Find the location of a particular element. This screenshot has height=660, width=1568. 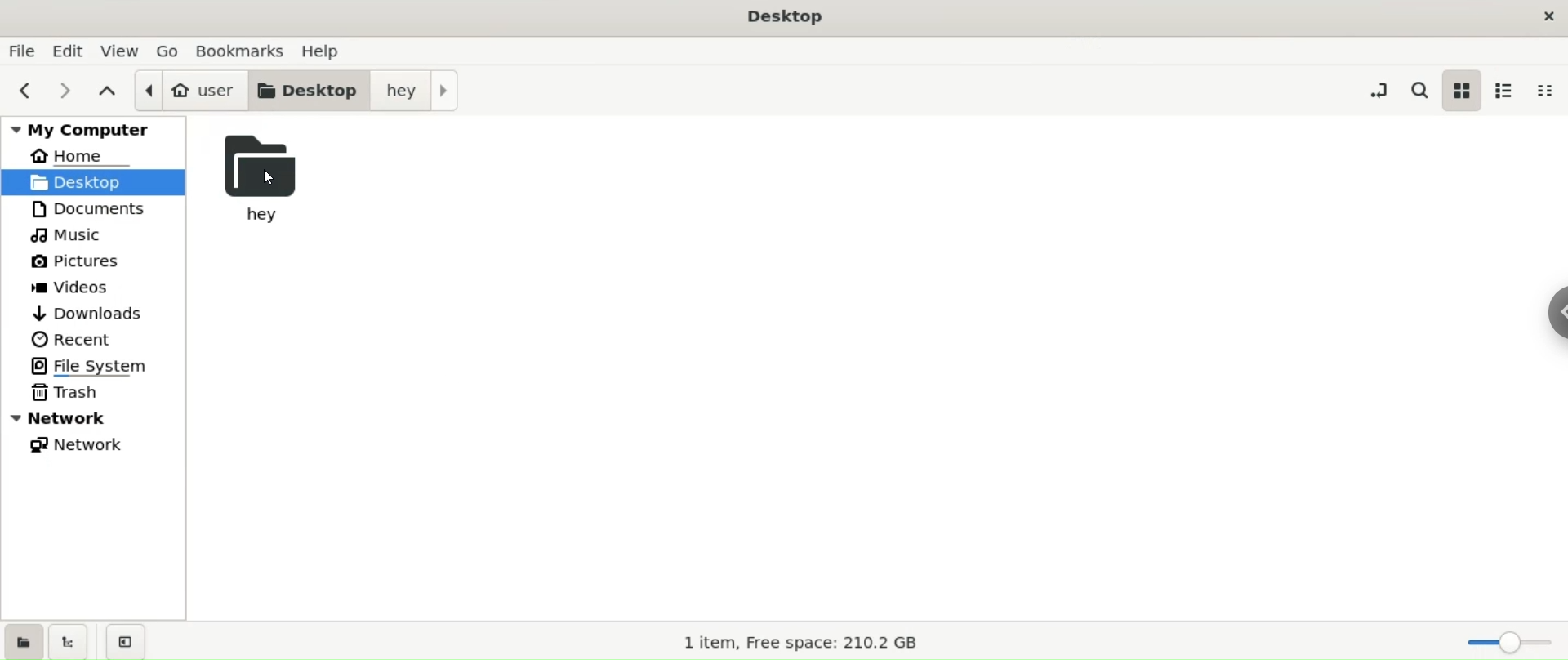

list view is located at coordinates (1507, 90).